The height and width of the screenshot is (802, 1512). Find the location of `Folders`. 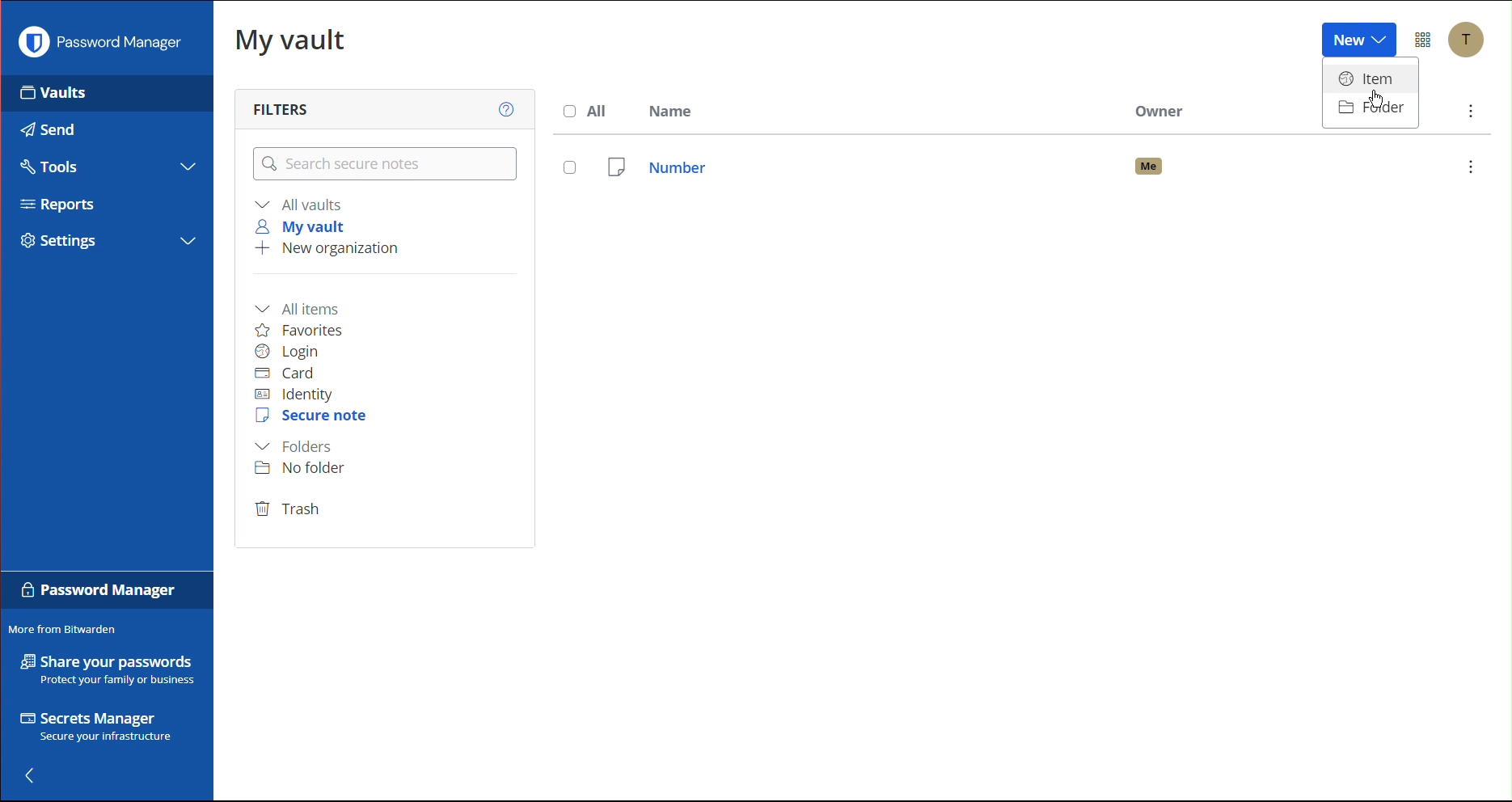

Folders is located at coordinates (294, 447).